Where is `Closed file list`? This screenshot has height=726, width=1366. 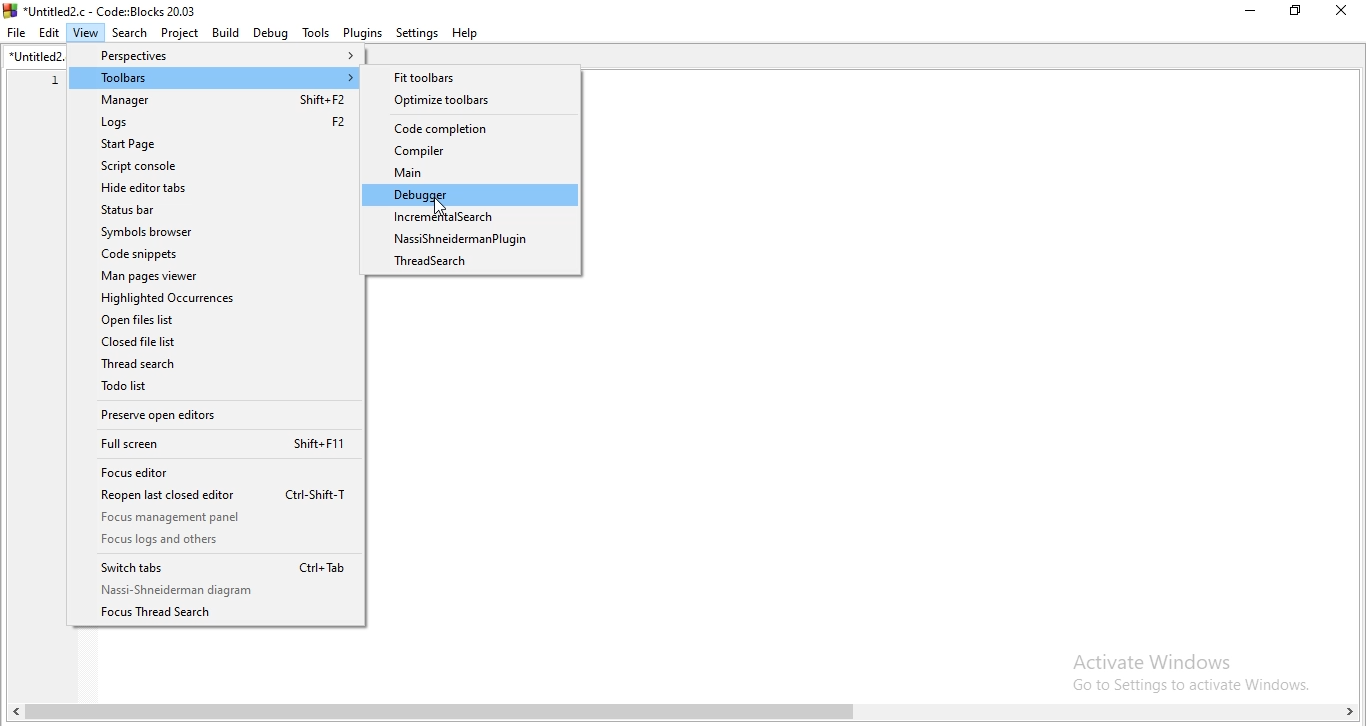
Closed file list is located at coordinates (210, 343).